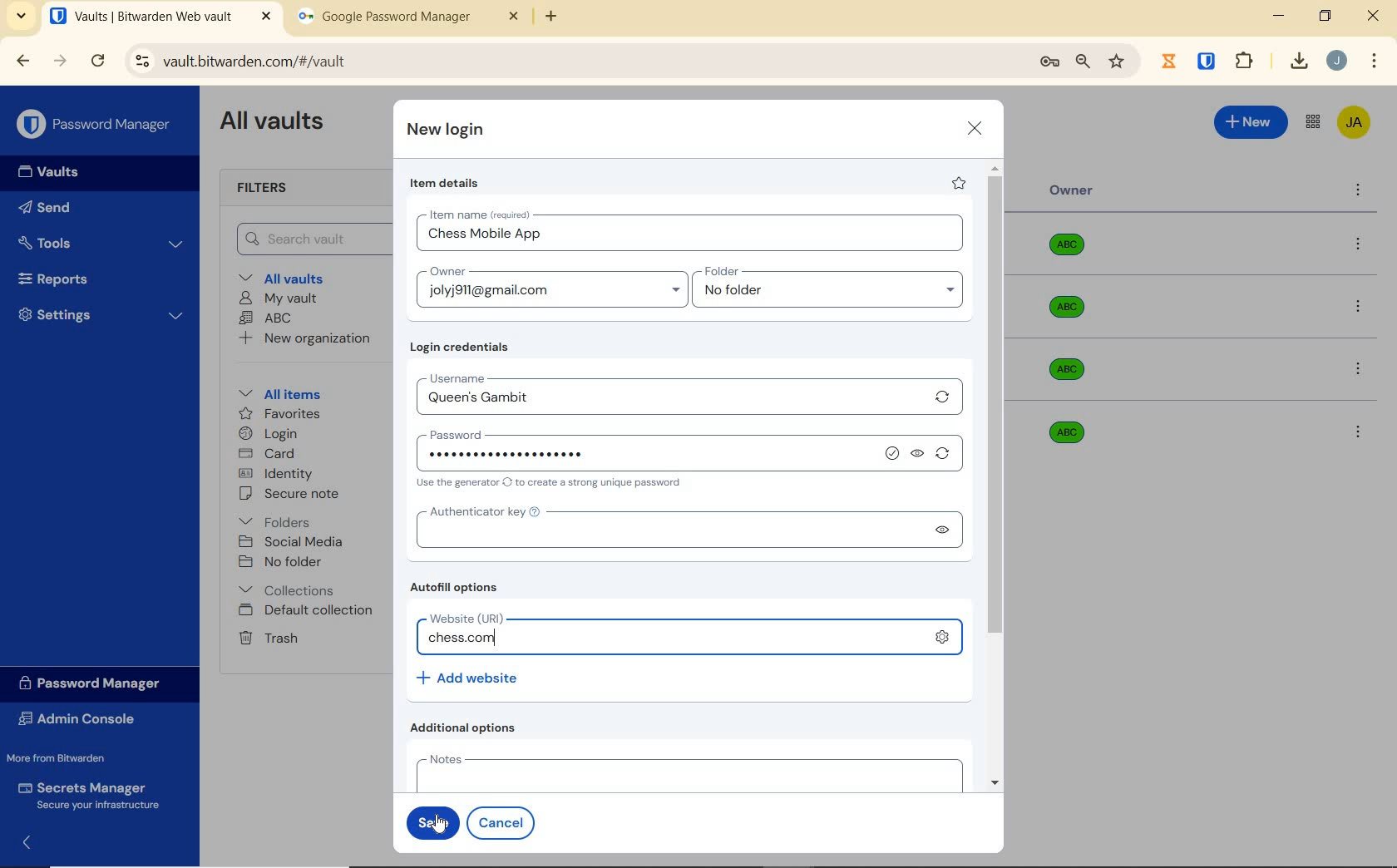 The image size is (1397, 868). I want to click on Account, so click(1336, 61).